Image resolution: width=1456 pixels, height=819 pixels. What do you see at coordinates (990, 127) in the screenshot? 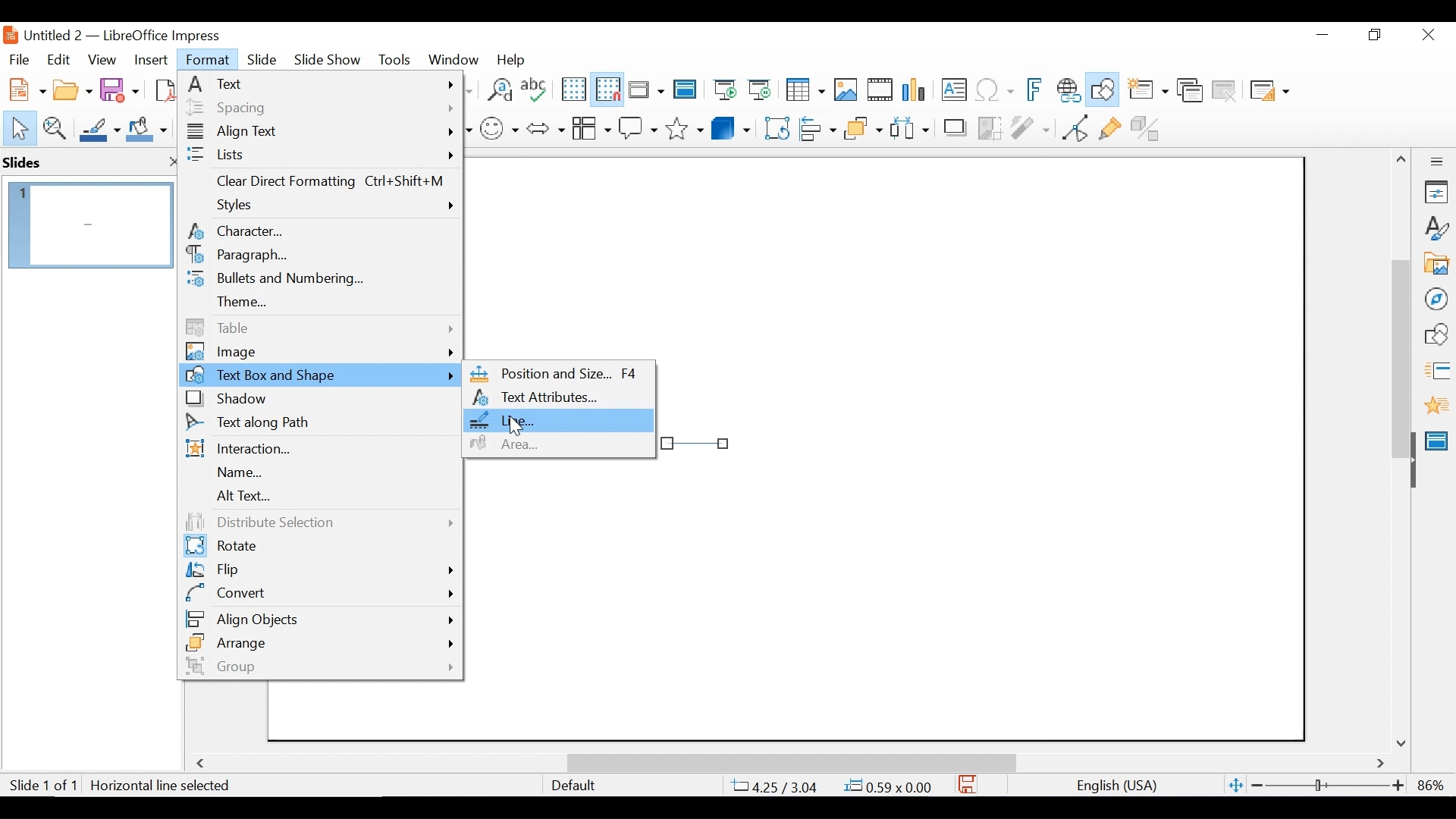
I see `Crop Image` at bounding box center [990, 127].